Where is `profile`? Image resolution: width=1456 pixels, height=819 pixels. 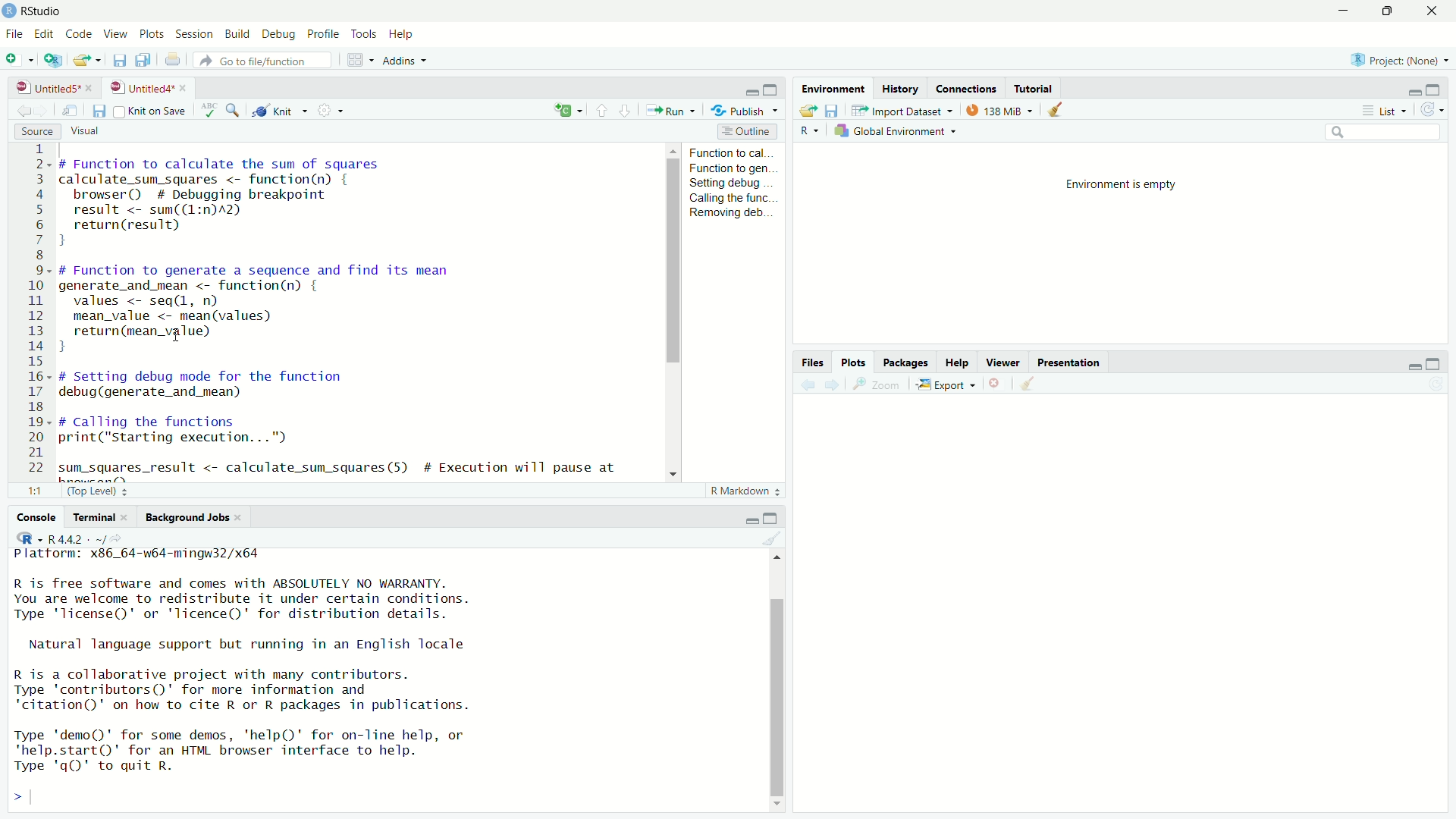 profile is located at coordinates (321, 33).